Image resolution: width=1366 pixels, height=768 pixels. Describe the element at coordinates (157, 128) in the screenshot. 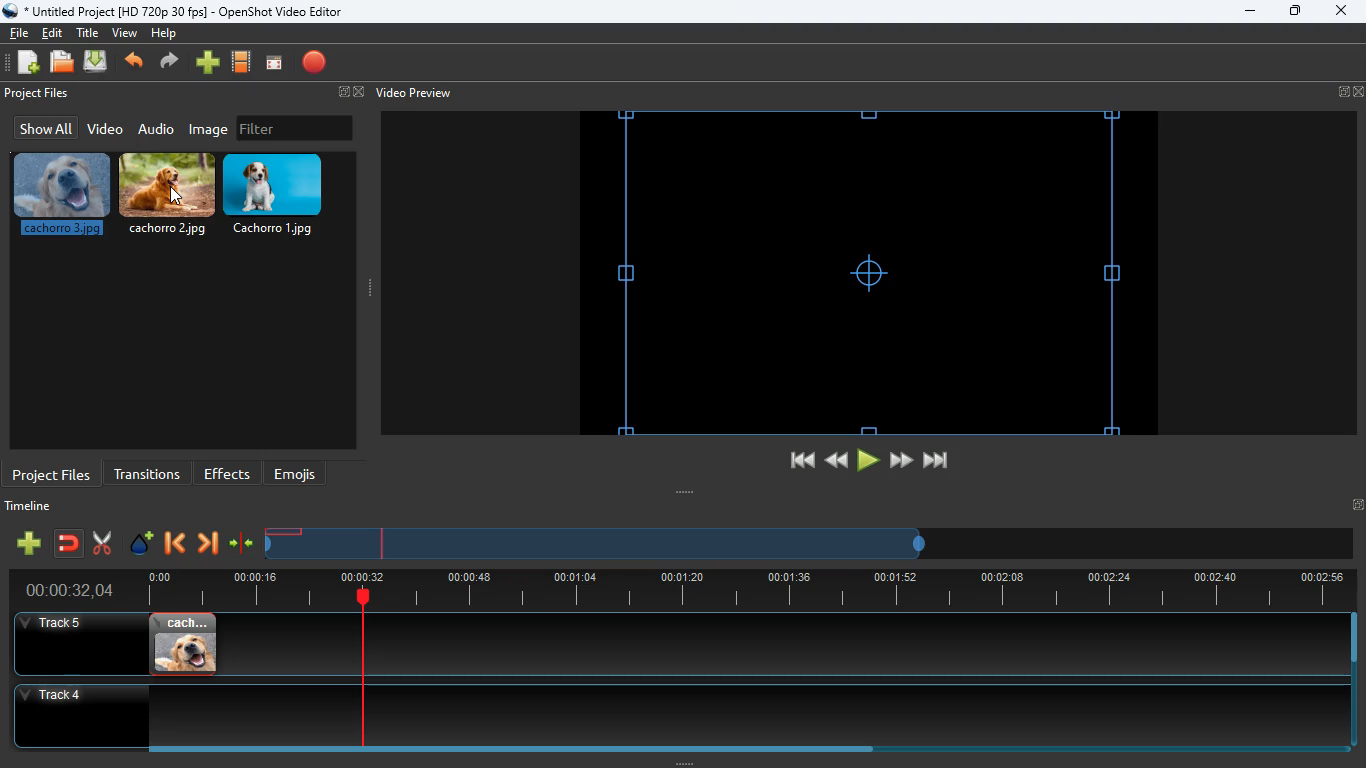

I see `audio` at that location.